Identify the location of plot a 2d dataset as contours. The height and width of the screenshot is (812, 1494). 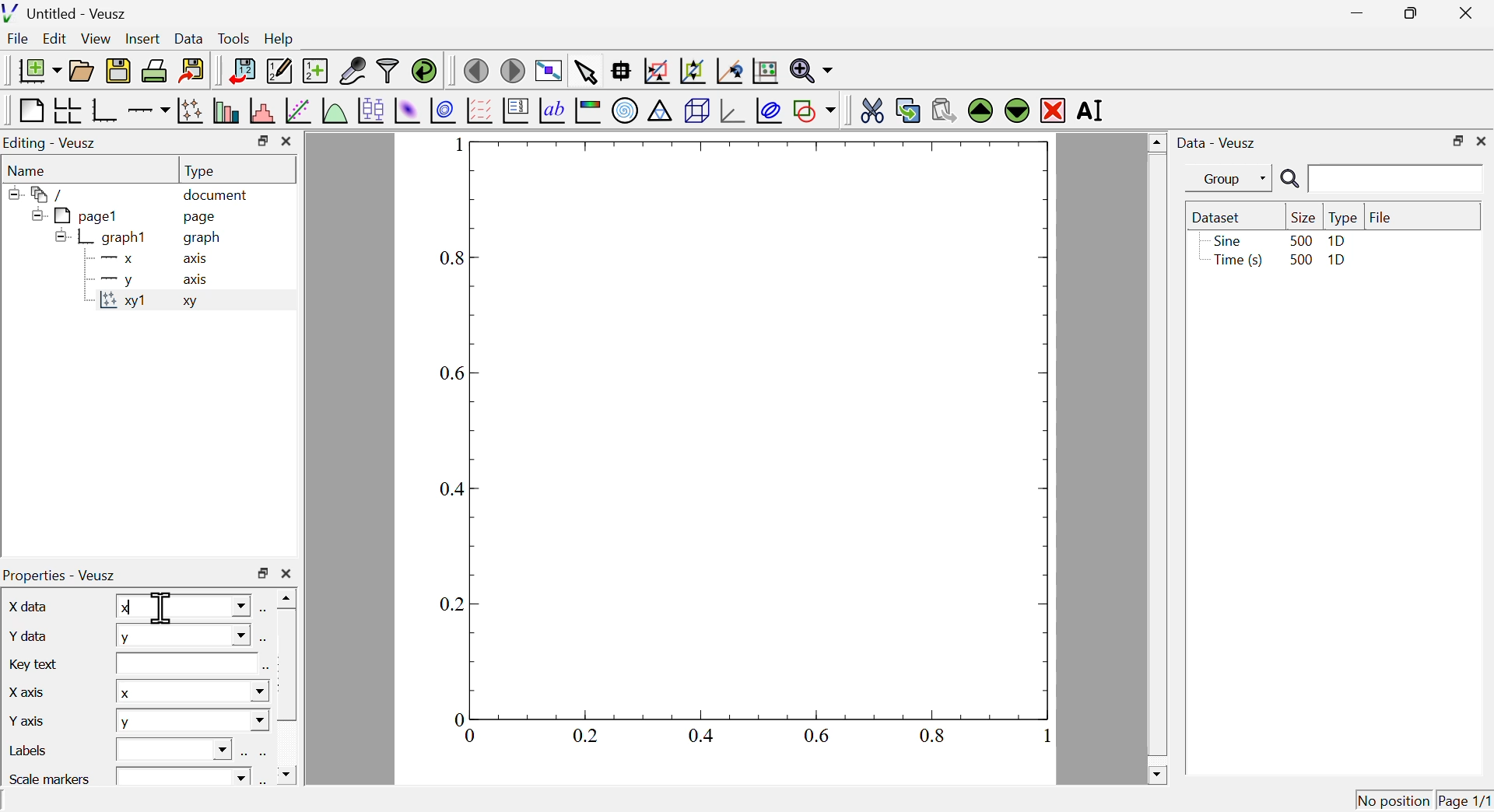
(443, 110).